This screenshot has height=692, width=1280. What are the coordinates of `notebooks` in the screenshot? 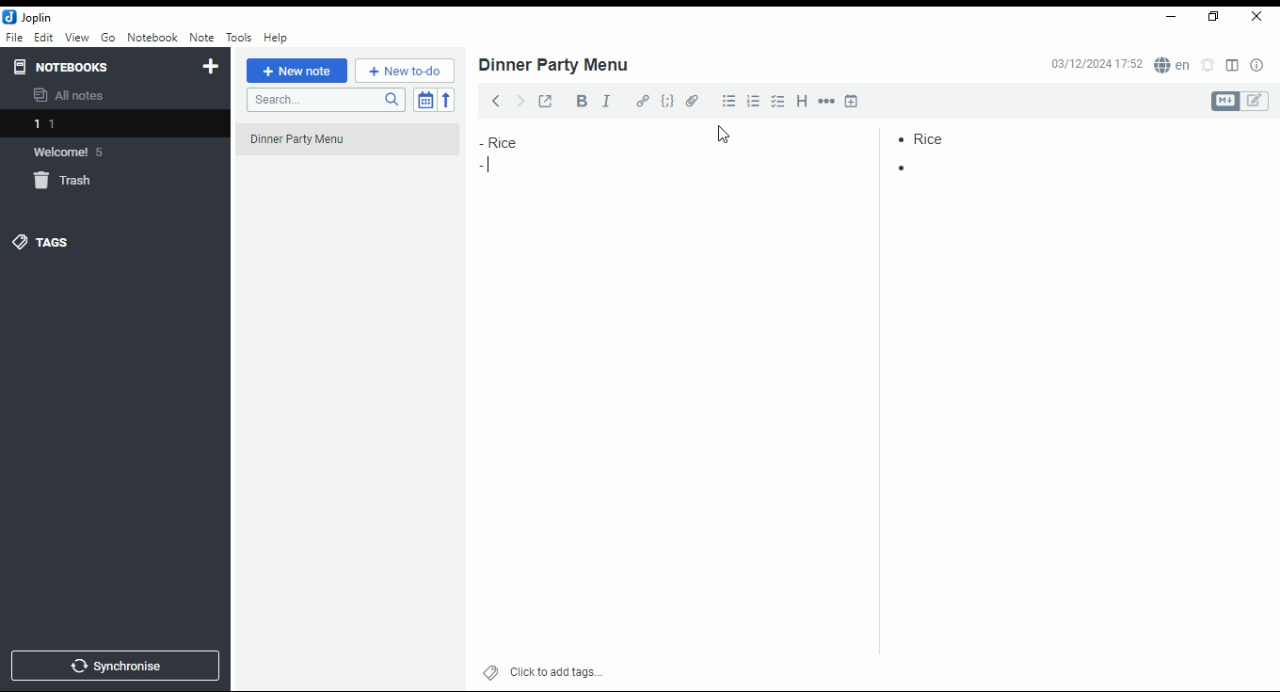 It's located at (66, 66).